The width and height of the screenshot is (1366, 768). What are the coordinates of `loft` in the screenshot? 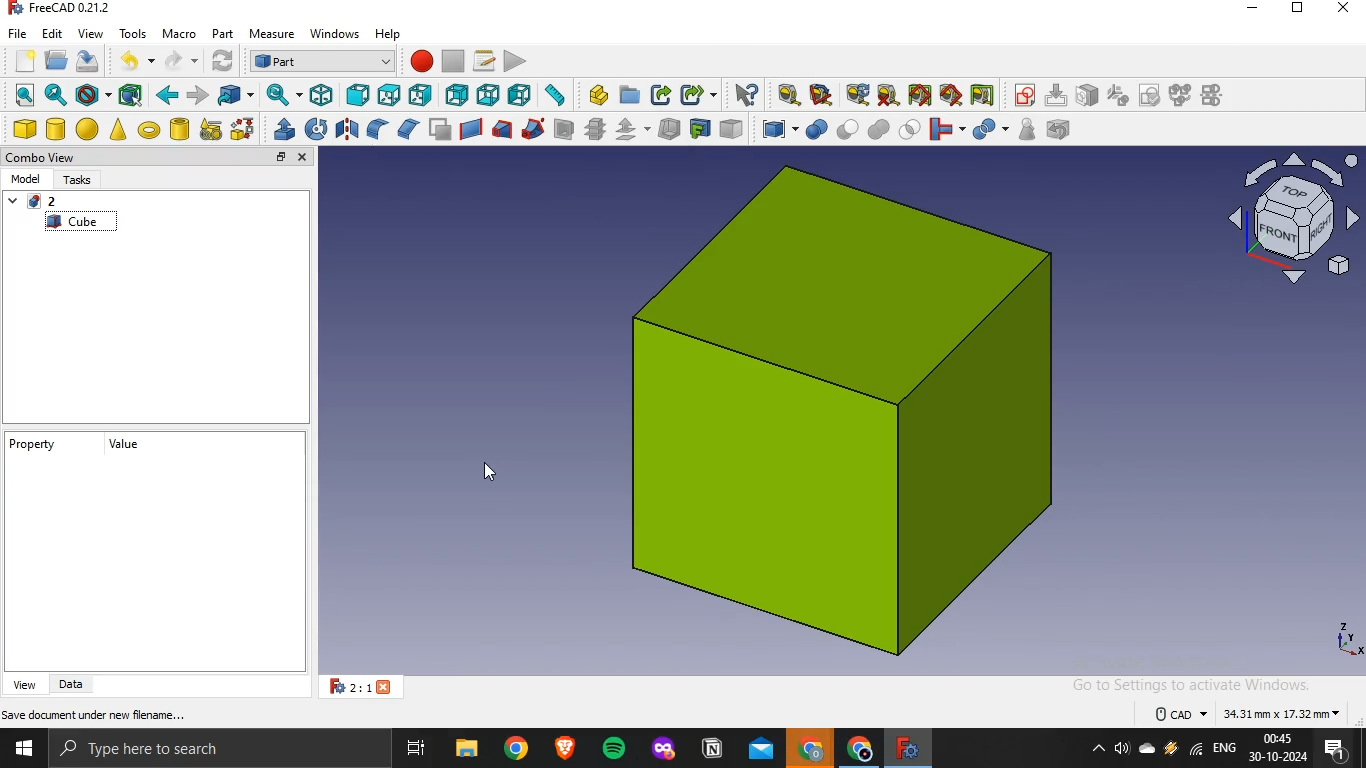 It's located at (502, 129).